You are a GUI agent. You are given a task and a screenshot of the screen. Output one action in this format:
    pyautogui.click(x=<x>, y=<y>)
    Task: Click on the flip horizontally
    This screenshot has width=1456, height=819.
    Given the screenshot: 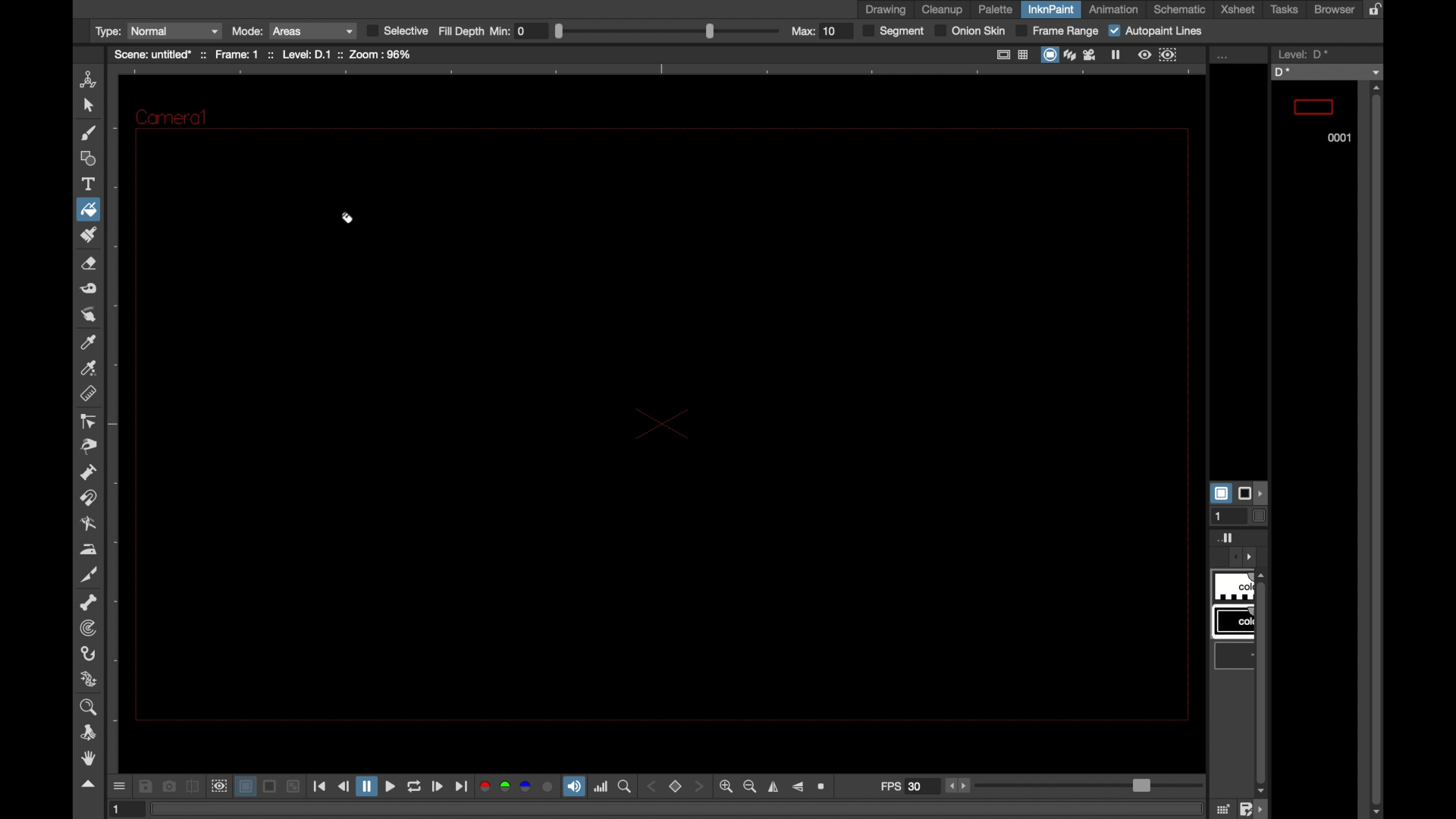 What is the action you would take?
    pyautogui.click(x=773, y=787)
    